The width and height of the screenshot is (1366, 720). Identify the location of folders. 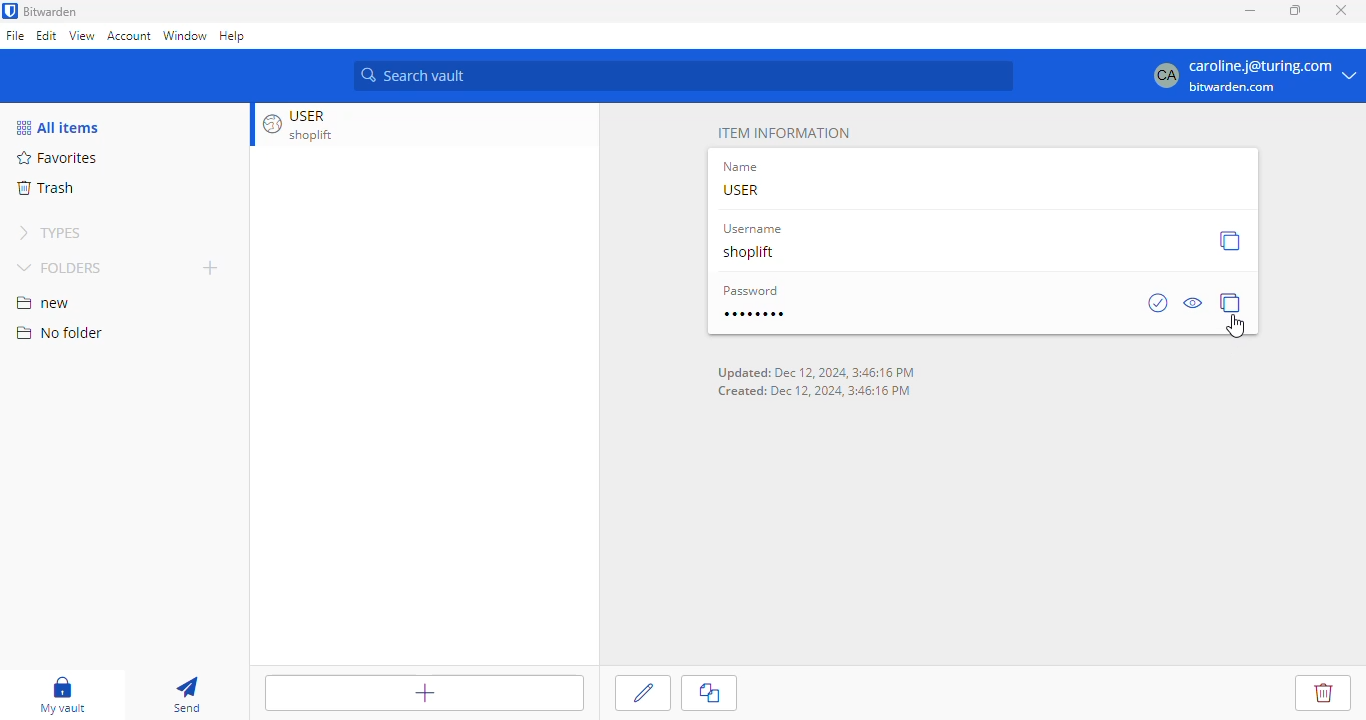
(60, 269).